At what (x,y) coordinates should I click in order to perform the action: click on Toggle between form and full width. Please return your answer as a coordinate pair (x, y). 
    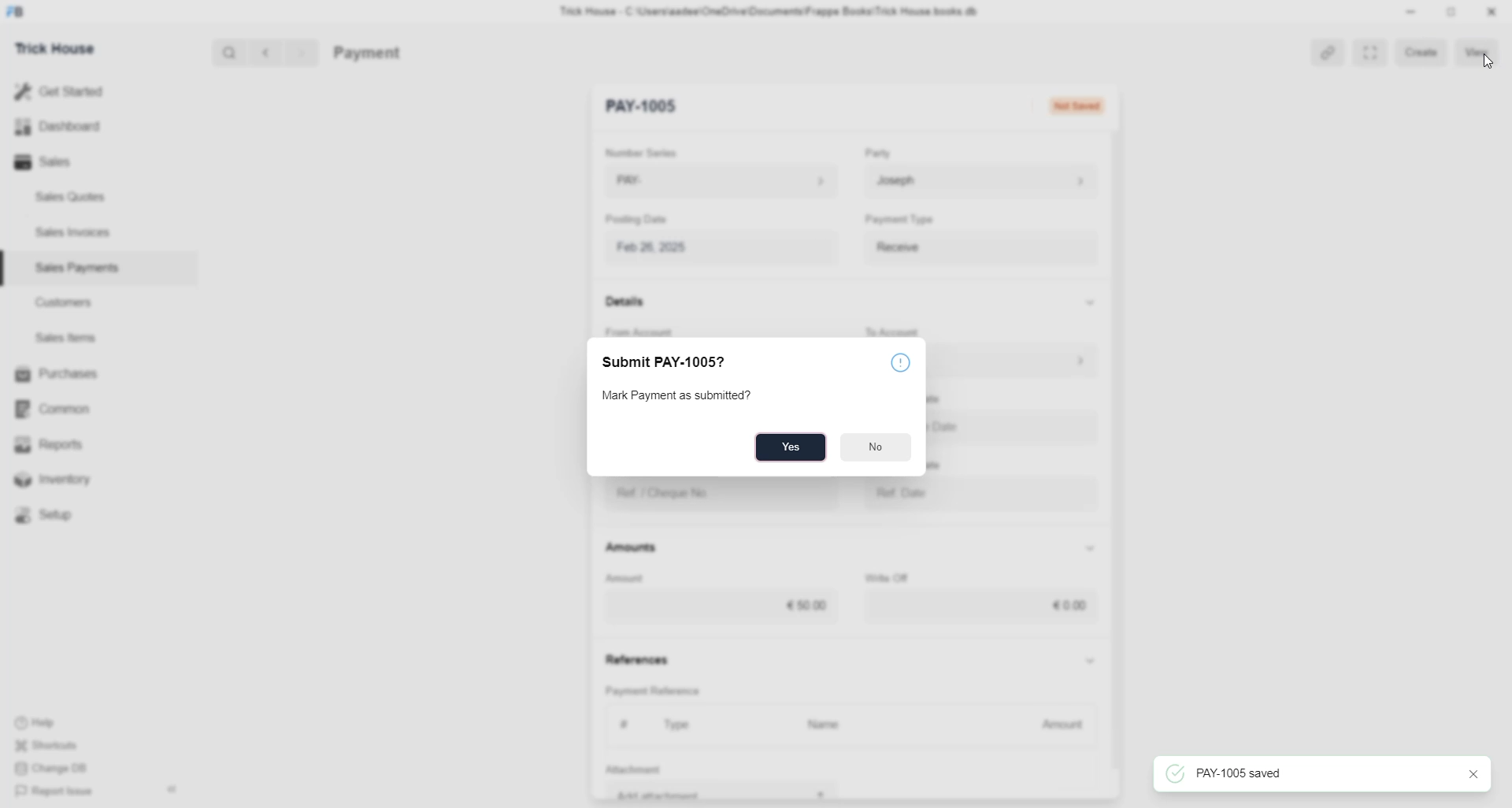
    Looking at the image, I should click on (1367, 52).